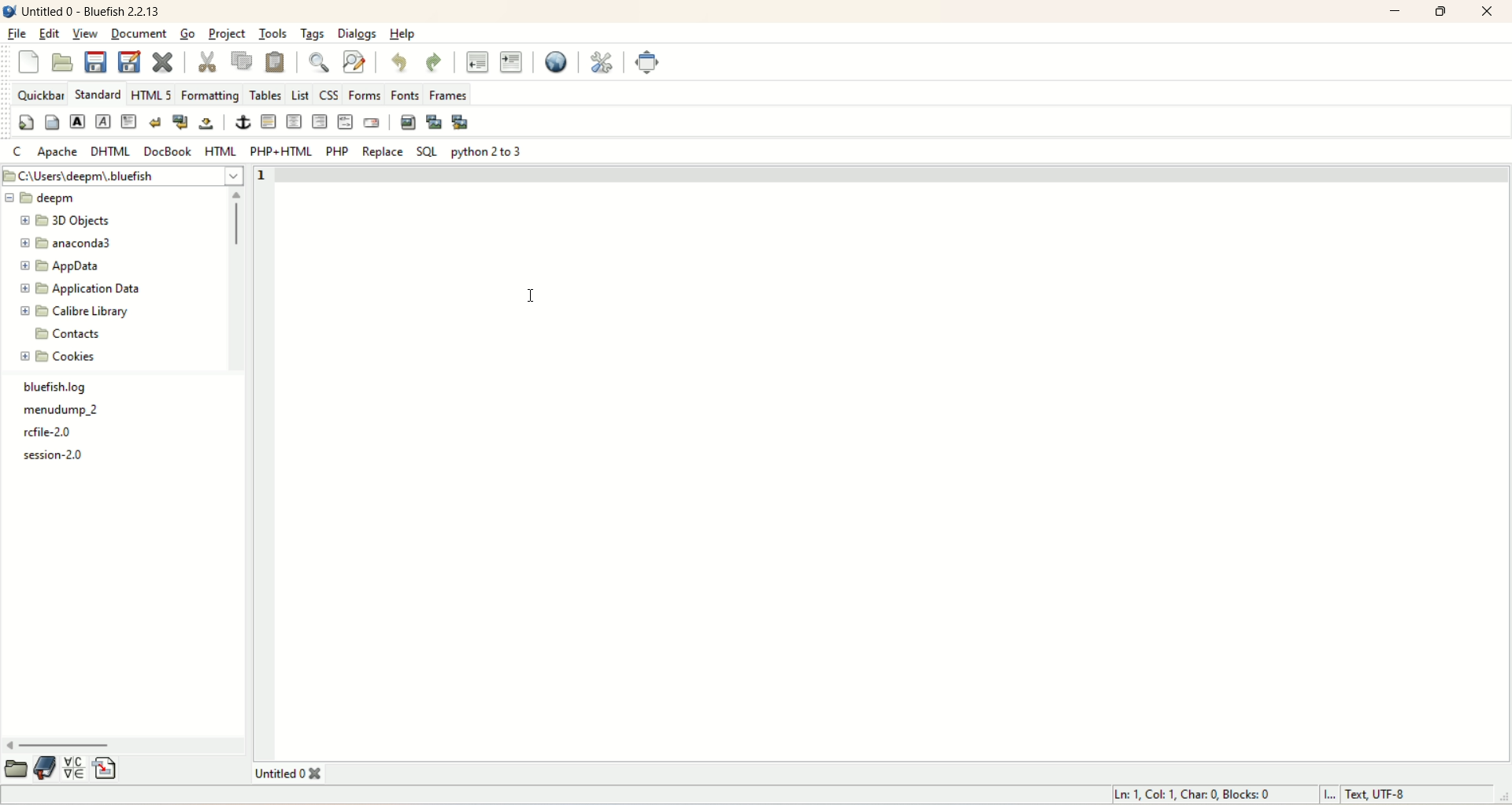 The image size is (1512, 805). Describe the element at coordinates (25, 121) in the screenshot. I see `quickstart` at that location.